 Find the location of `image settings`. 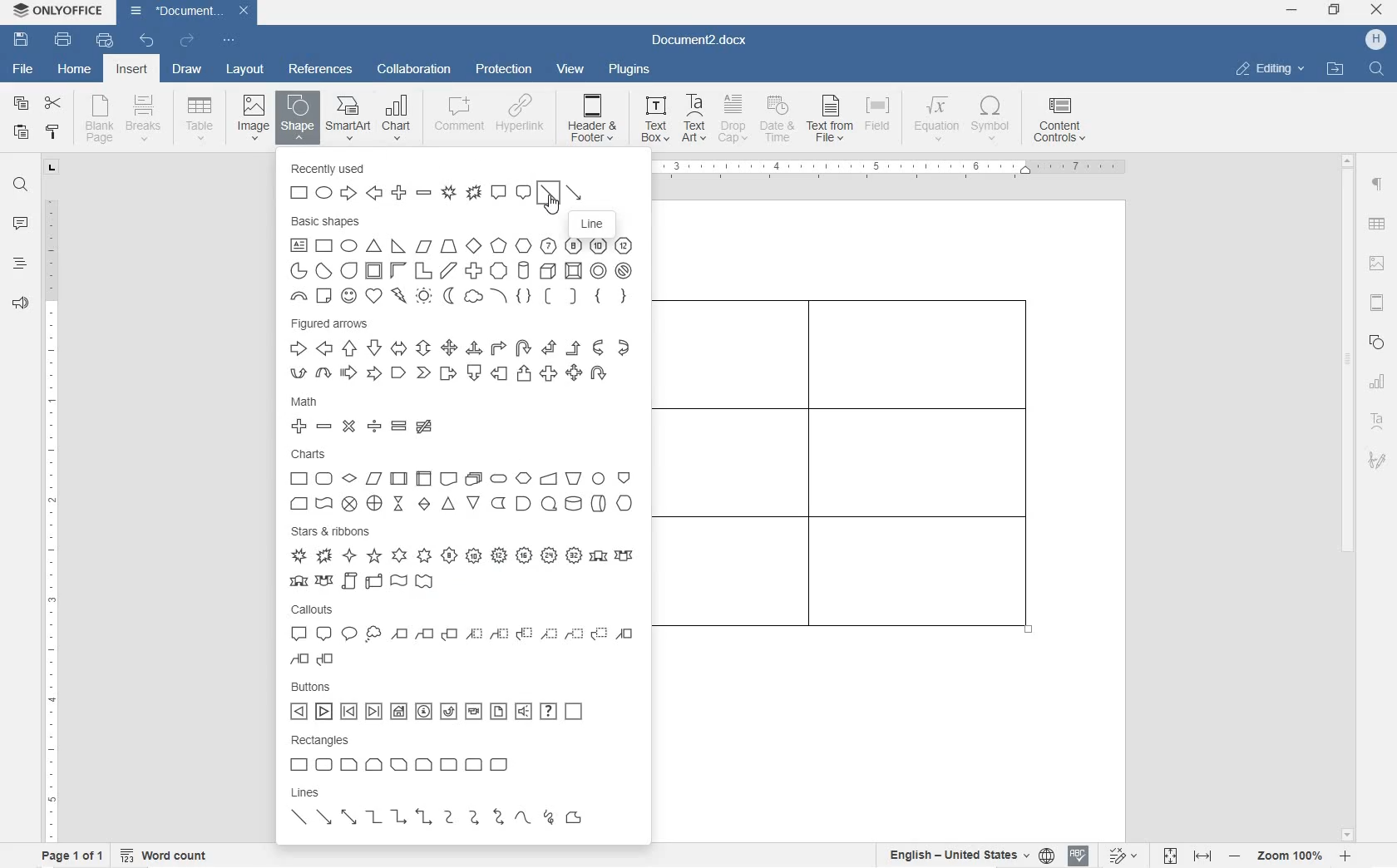

image settings is located at coordinates (1376, 264).